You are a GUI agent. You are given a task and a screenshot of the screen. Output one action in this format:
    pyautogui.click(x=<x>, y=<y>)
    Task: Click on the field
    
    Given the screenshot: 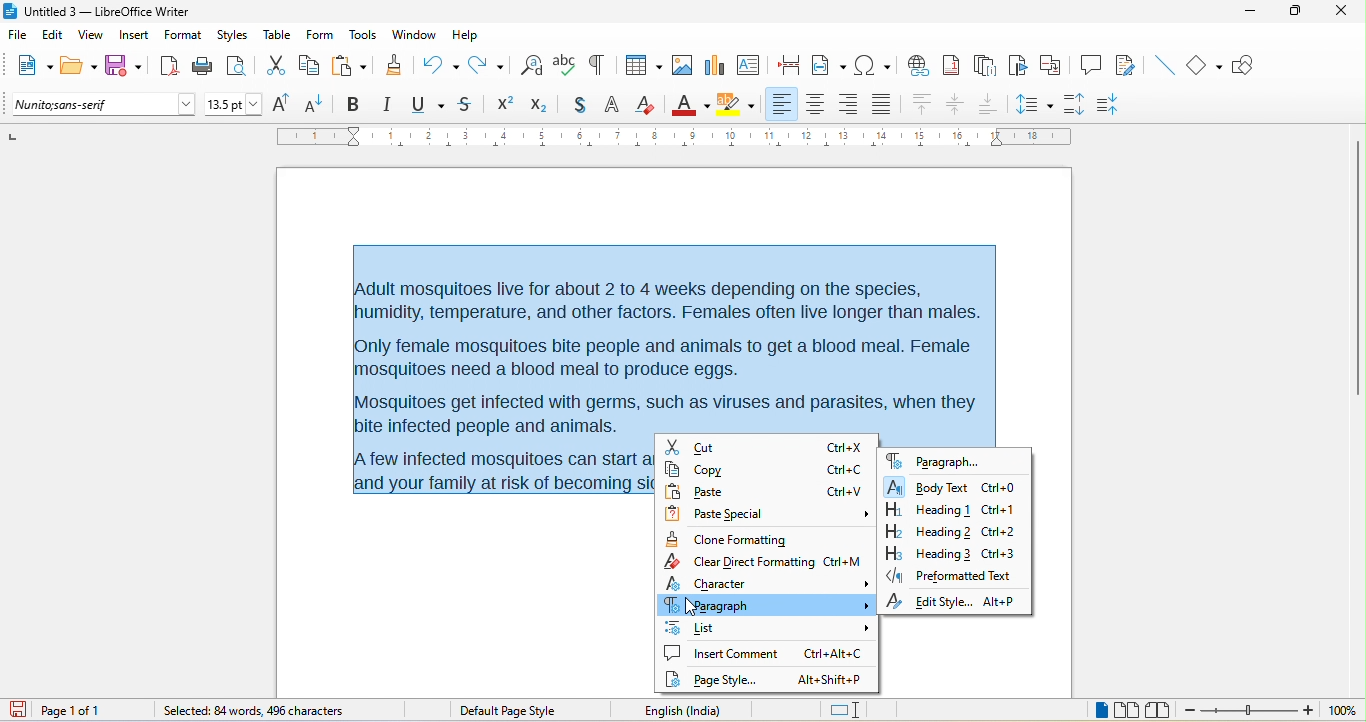 What is the action you would take?
    pyautogui.click(x=829, y=64)
    